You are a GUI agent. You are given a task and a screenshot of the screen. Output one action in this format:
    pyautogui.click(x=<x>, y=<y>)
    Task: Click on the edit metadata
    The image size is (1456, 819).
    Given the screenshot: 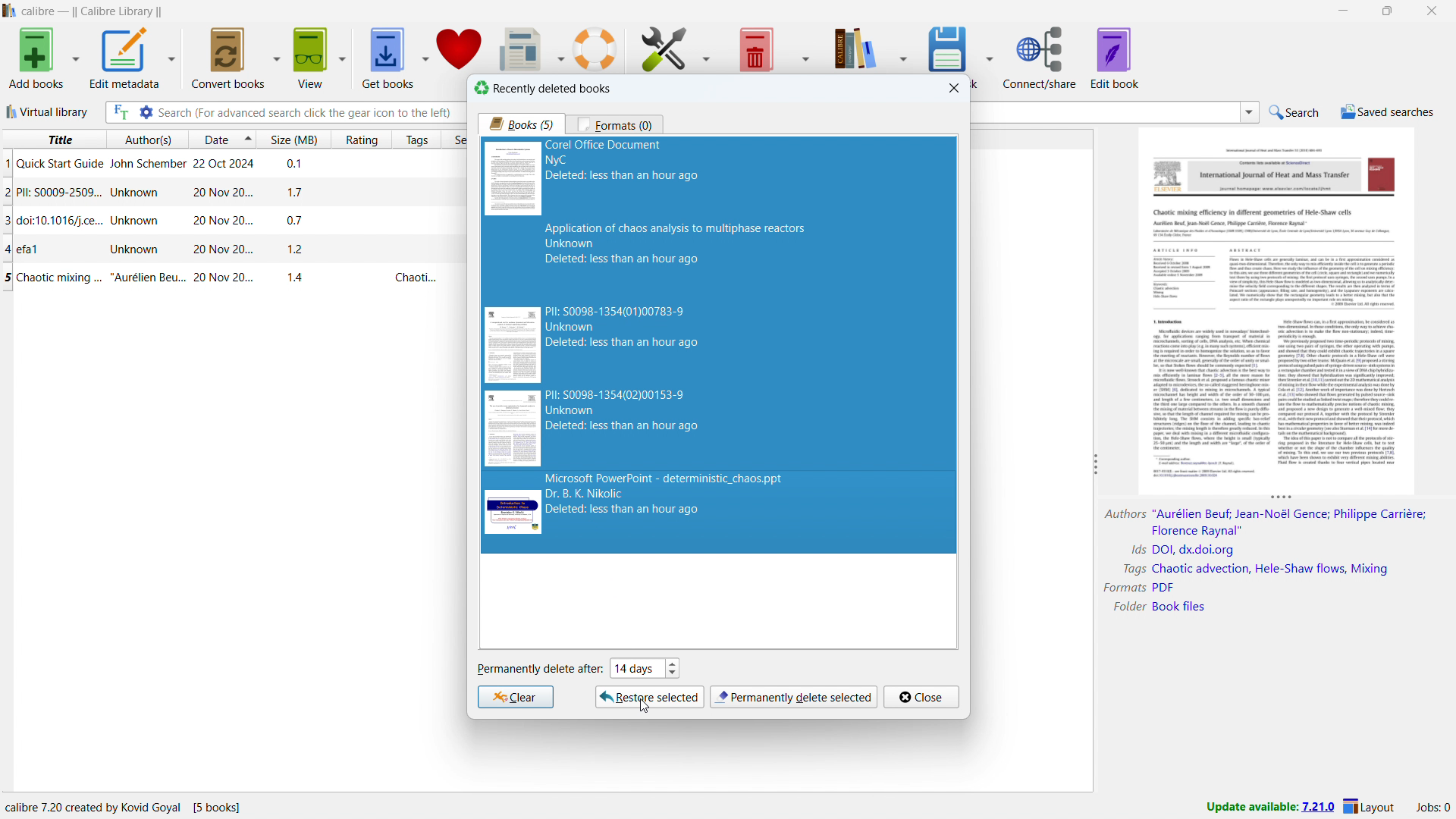 What is the action you would take?
    pyautogui.click(x=124, y=58)
    